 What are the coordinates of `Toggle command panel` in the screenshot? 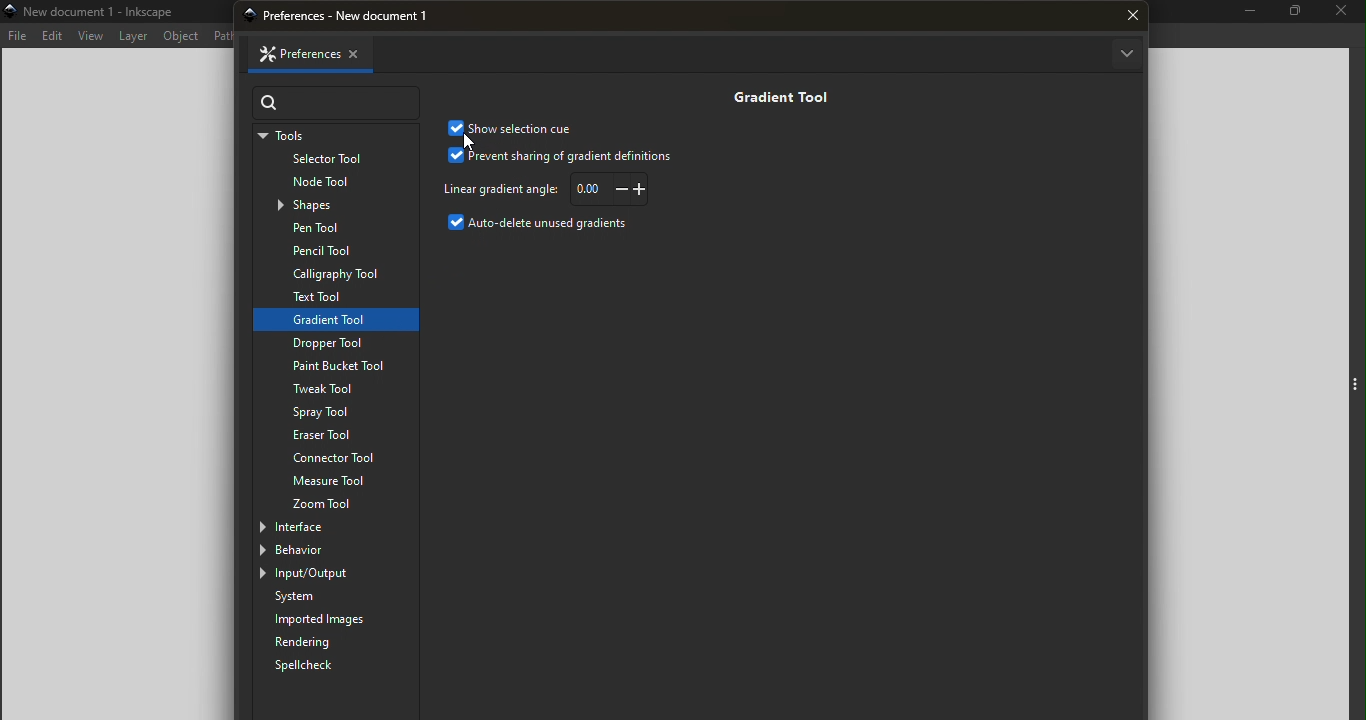 It's located at (1355, 386).